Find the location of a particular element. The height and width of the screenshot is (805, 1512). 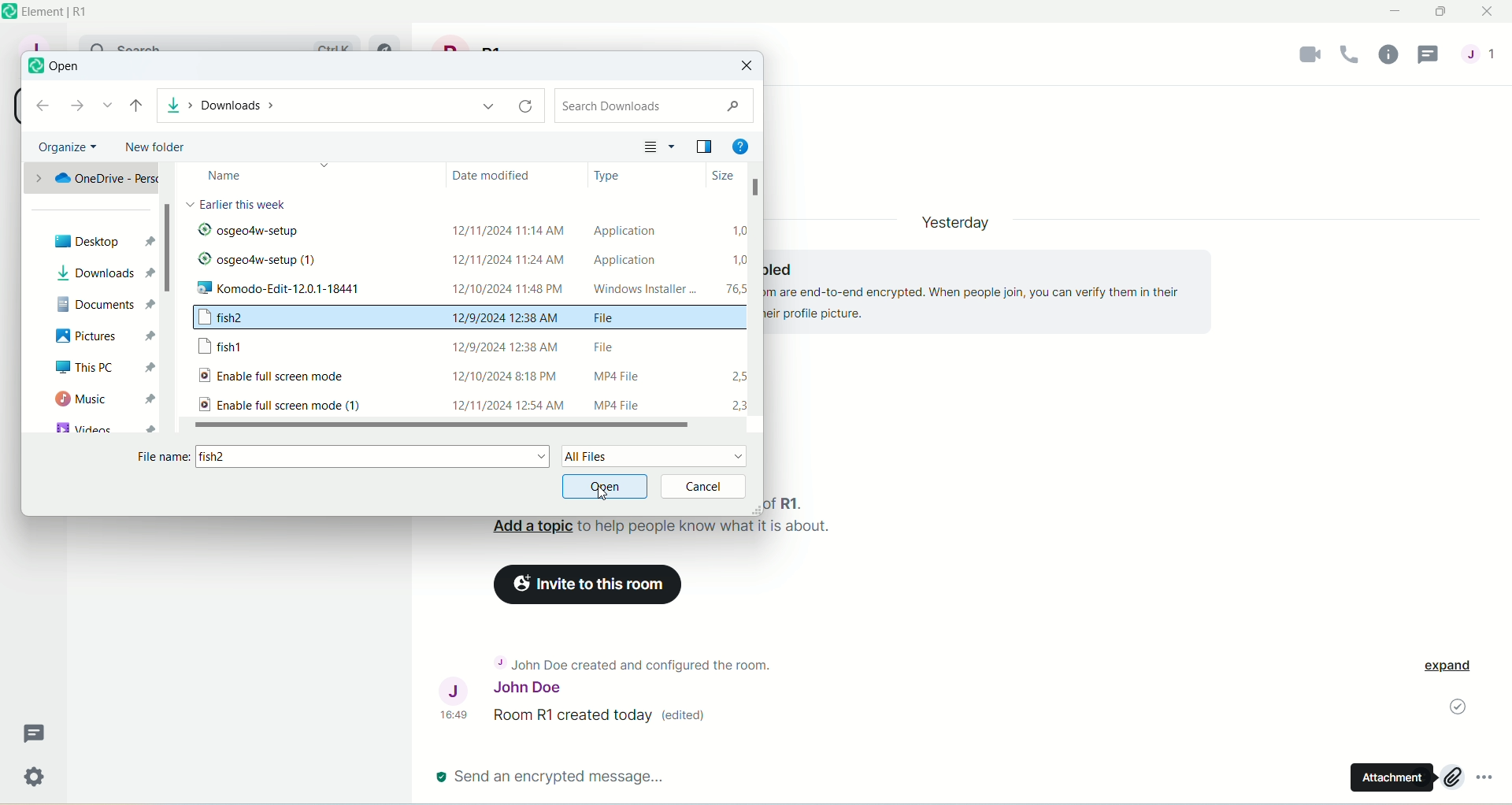

John Doe is located at coordinates (498, 692).